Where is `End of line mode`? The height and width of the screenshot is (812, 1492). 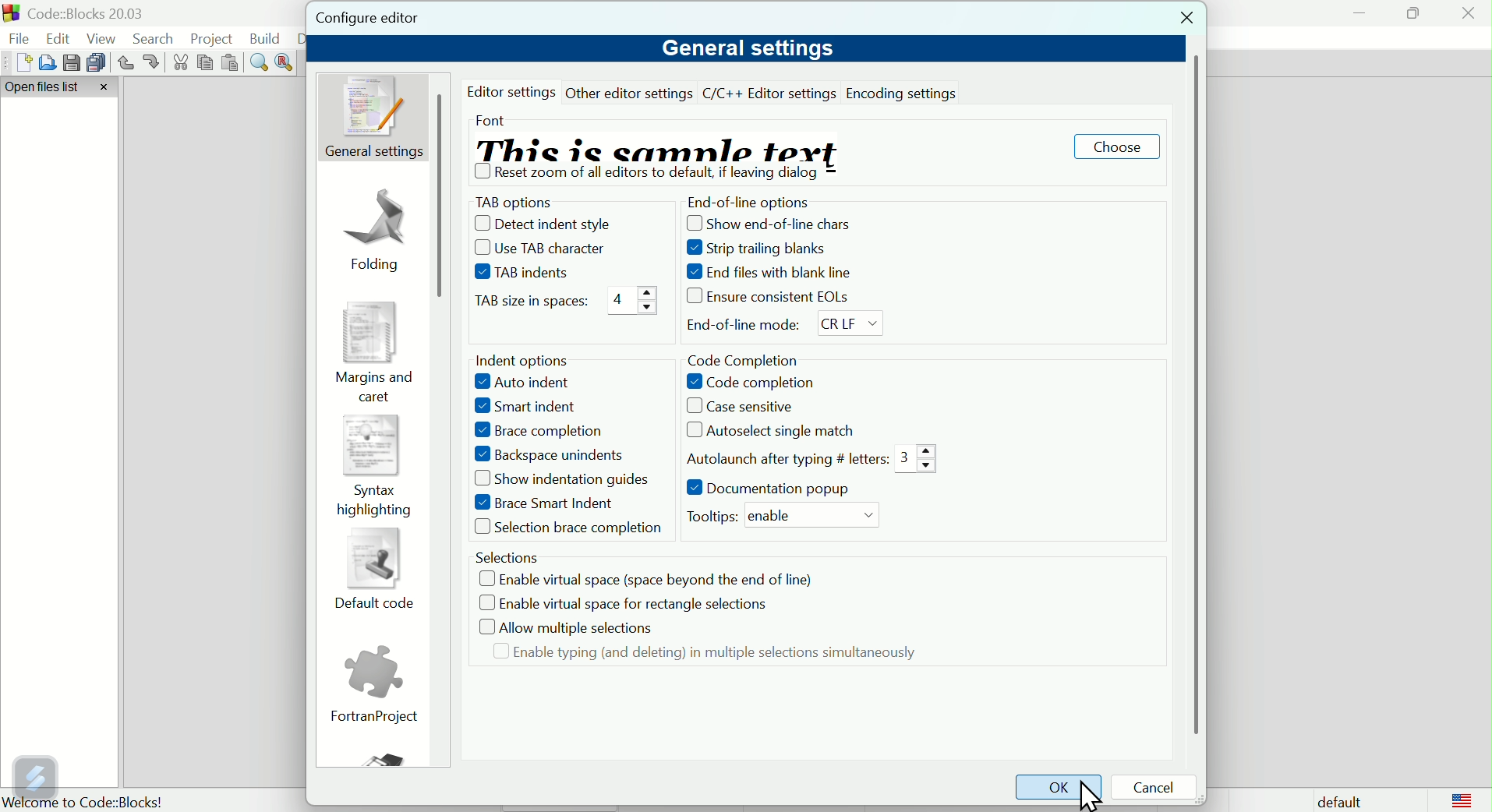
End of line mode is located at coordinates (783, 327).